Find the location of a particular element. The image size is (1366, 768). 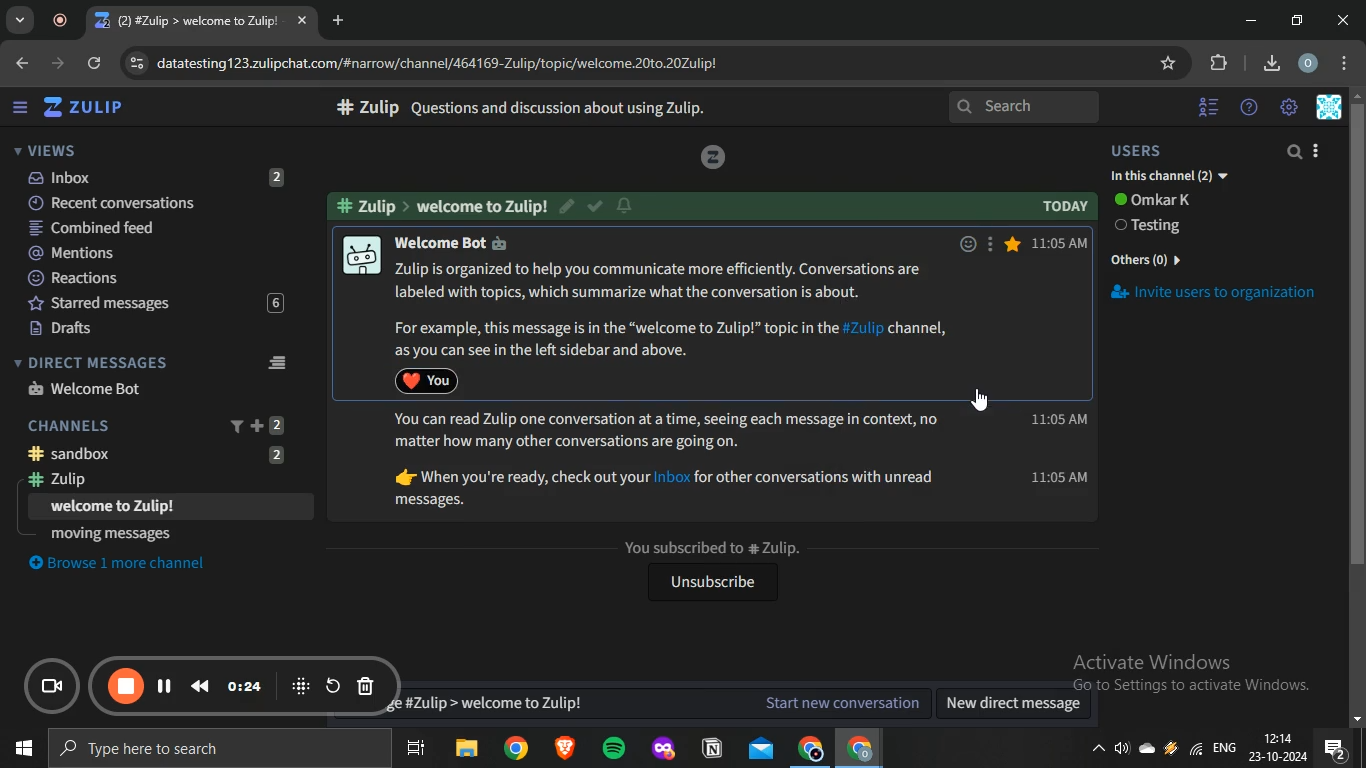

close is located at coordinates (1346, 20).